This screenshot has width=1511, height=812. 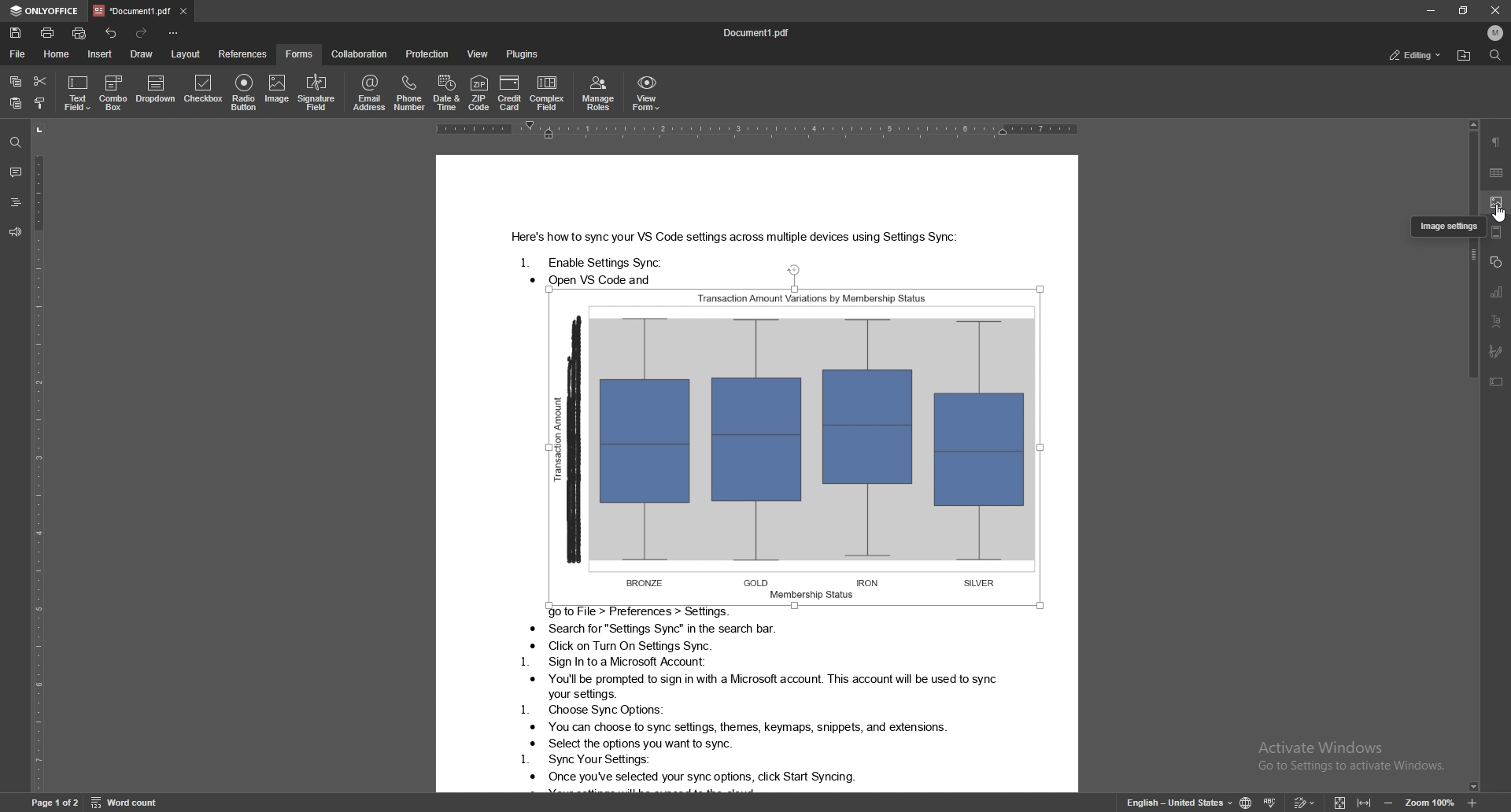 What do you see at coordinates (1389, 803) in the screenshot?
I see `zoom out` at bounding box center [1389, 803].